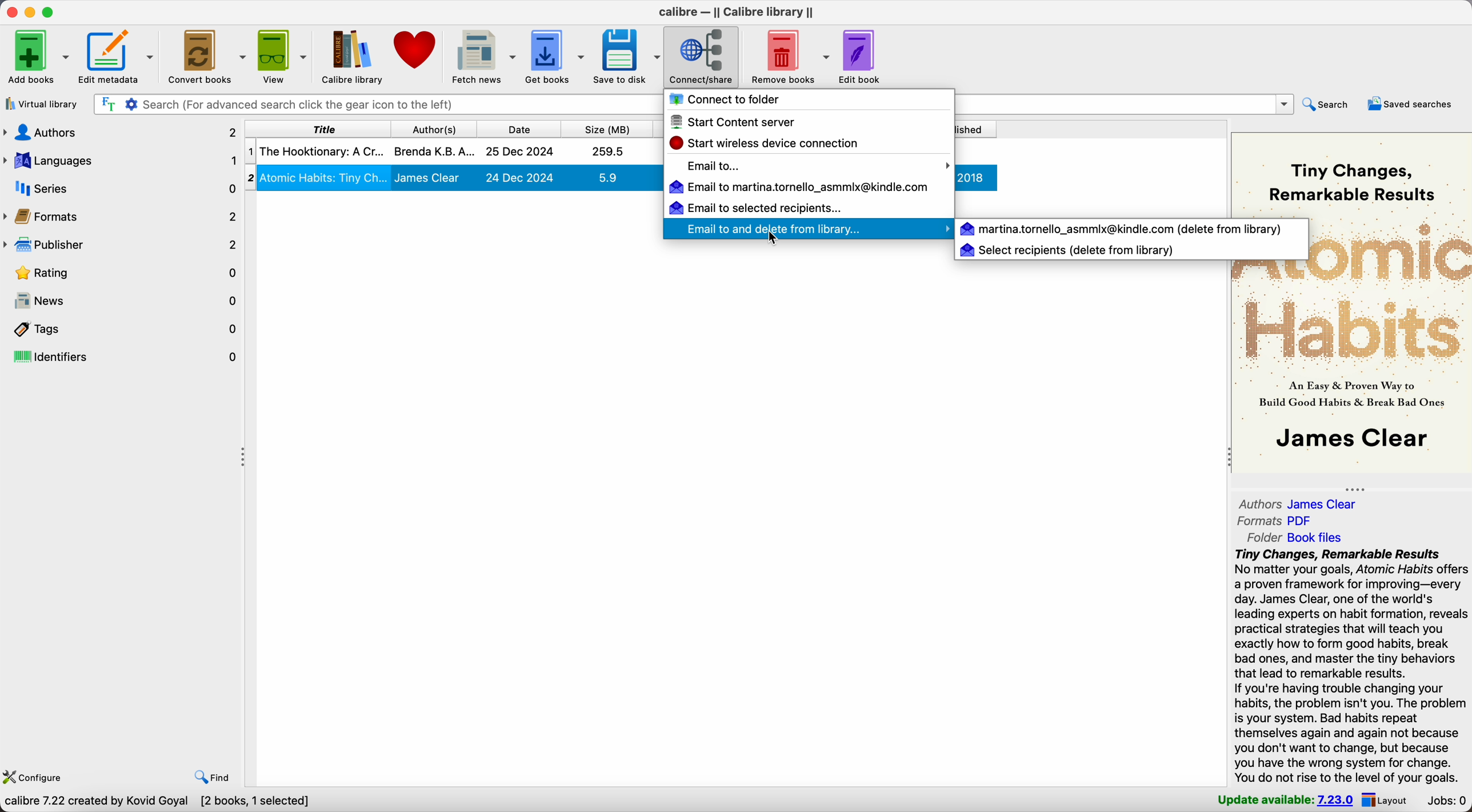 This screenshot has height=812, width=1472. I want to click on James Clear, so click(1357, 438).